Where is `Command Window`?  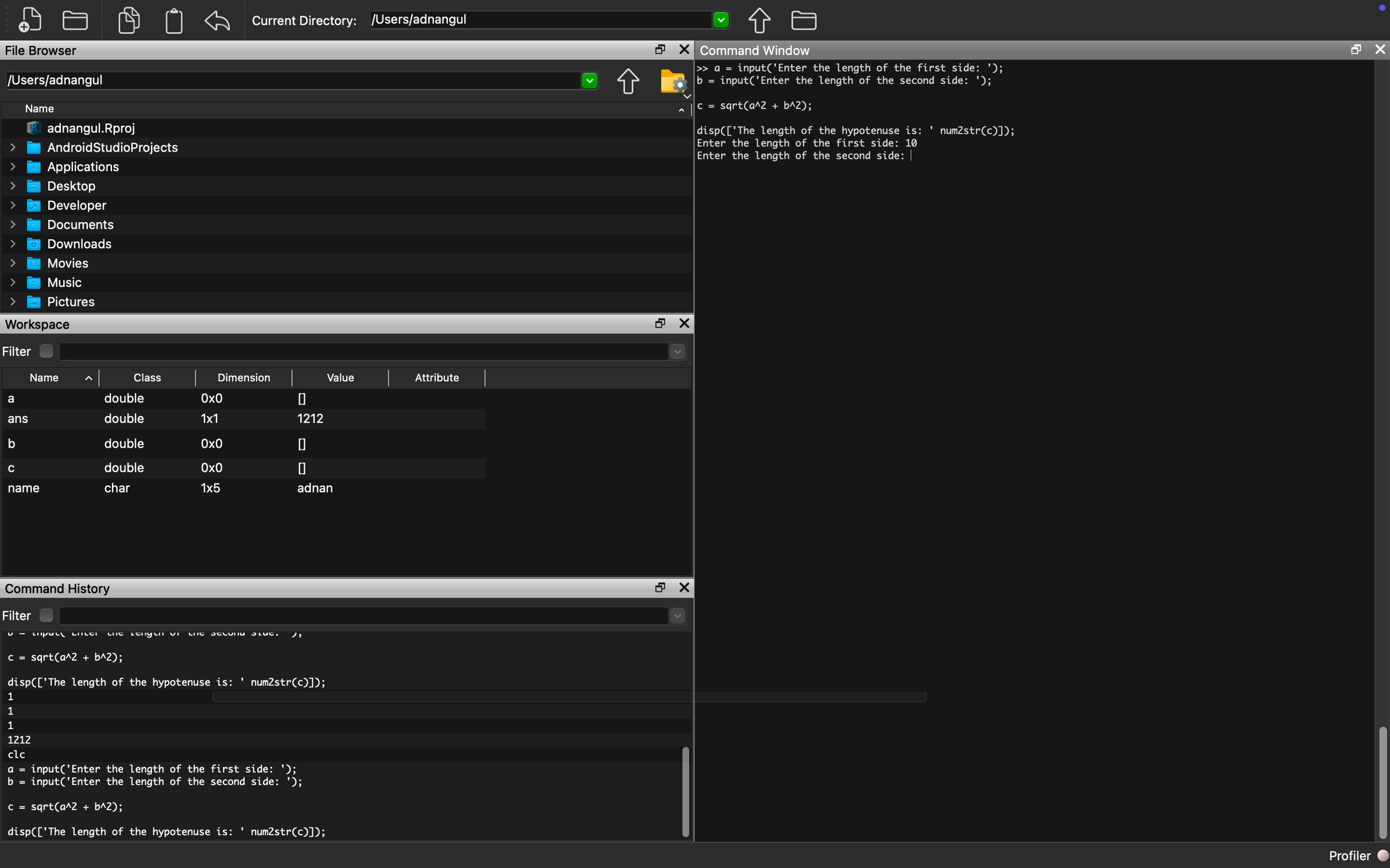 Command Window is located at coordinates (759, 50).